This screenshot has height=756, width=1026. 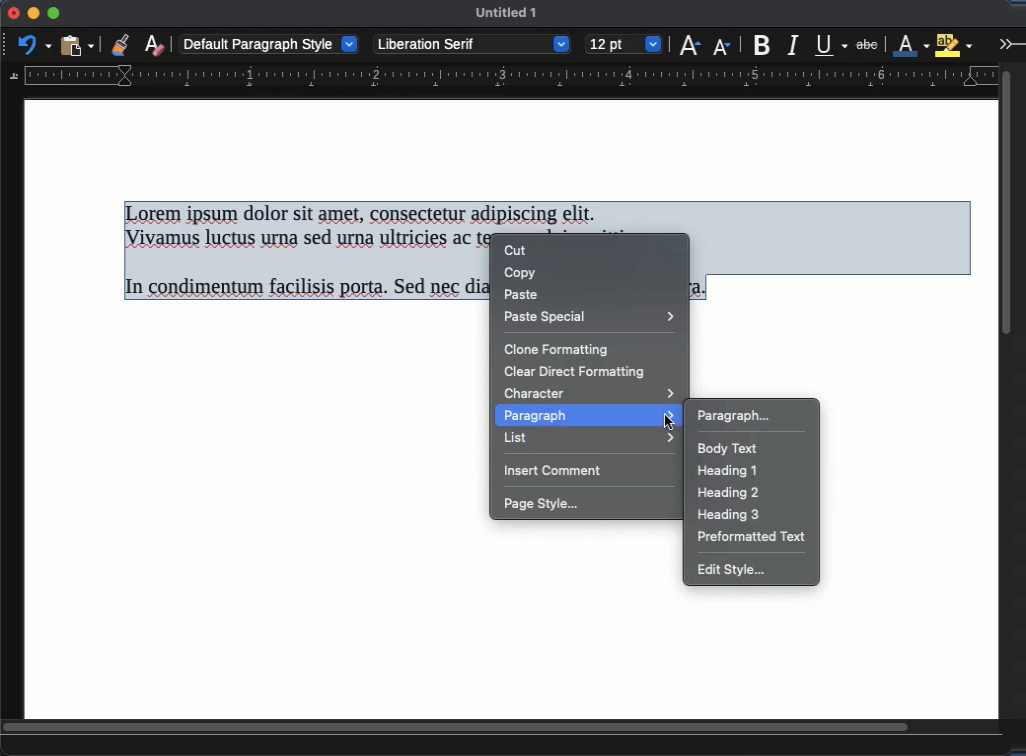 I want to click on cursor, so click(x=671, y=420).